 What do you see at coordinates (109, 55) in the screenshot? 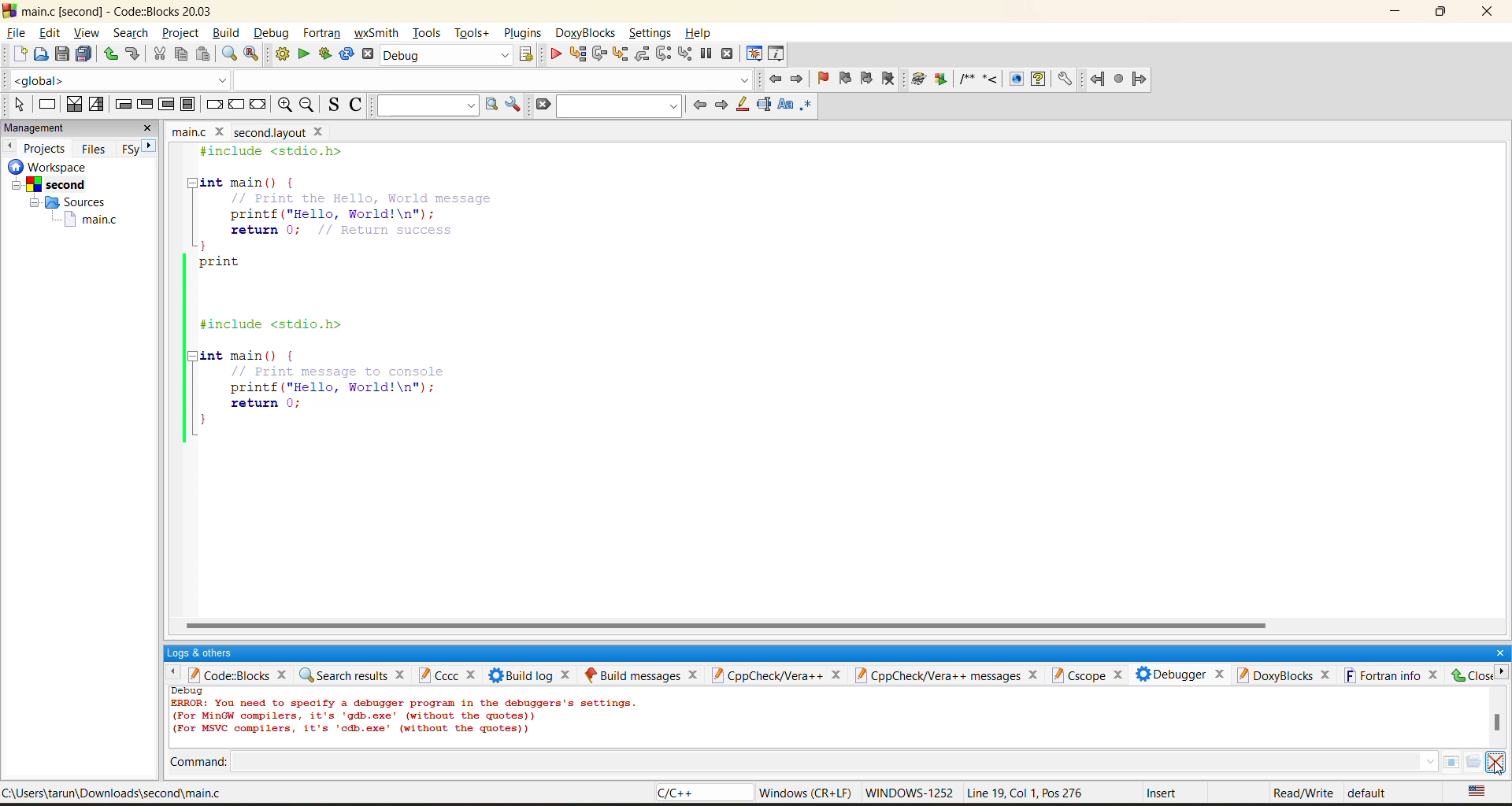
I see `undo` at bounding box center [109, 55].